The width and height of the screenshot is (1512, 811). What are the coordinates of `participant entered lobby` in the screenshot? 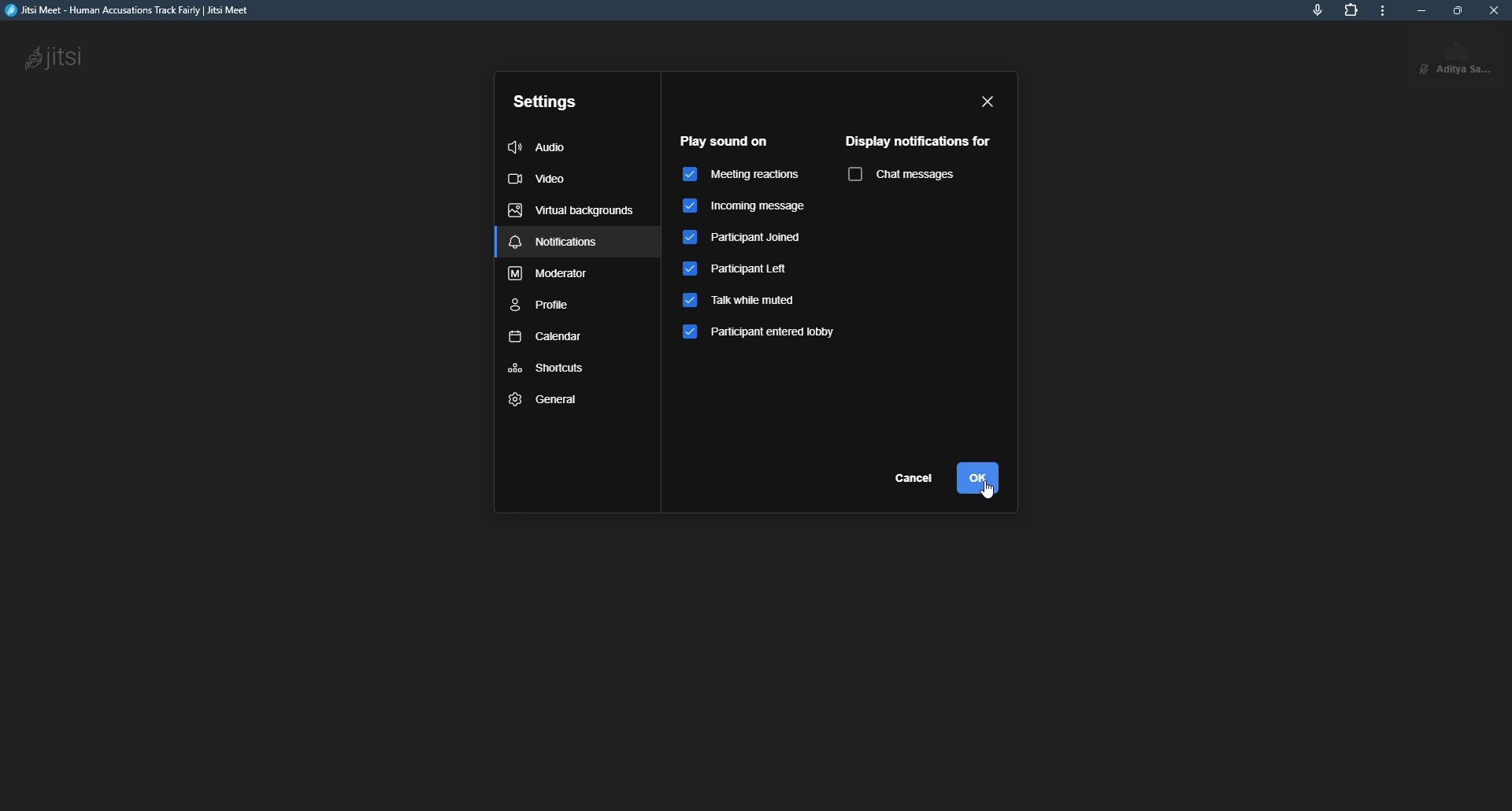 It's located at (761, 331).